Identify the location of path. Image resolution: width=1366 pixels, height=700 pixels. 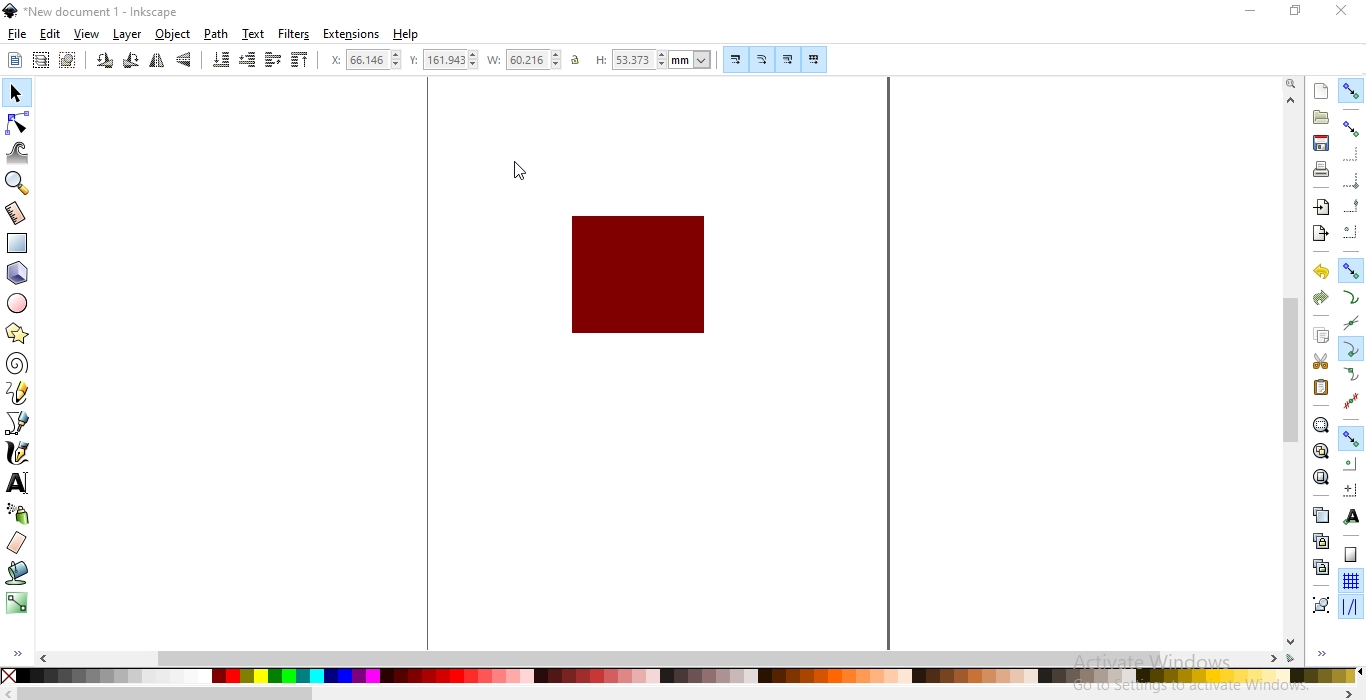
(216, 34).